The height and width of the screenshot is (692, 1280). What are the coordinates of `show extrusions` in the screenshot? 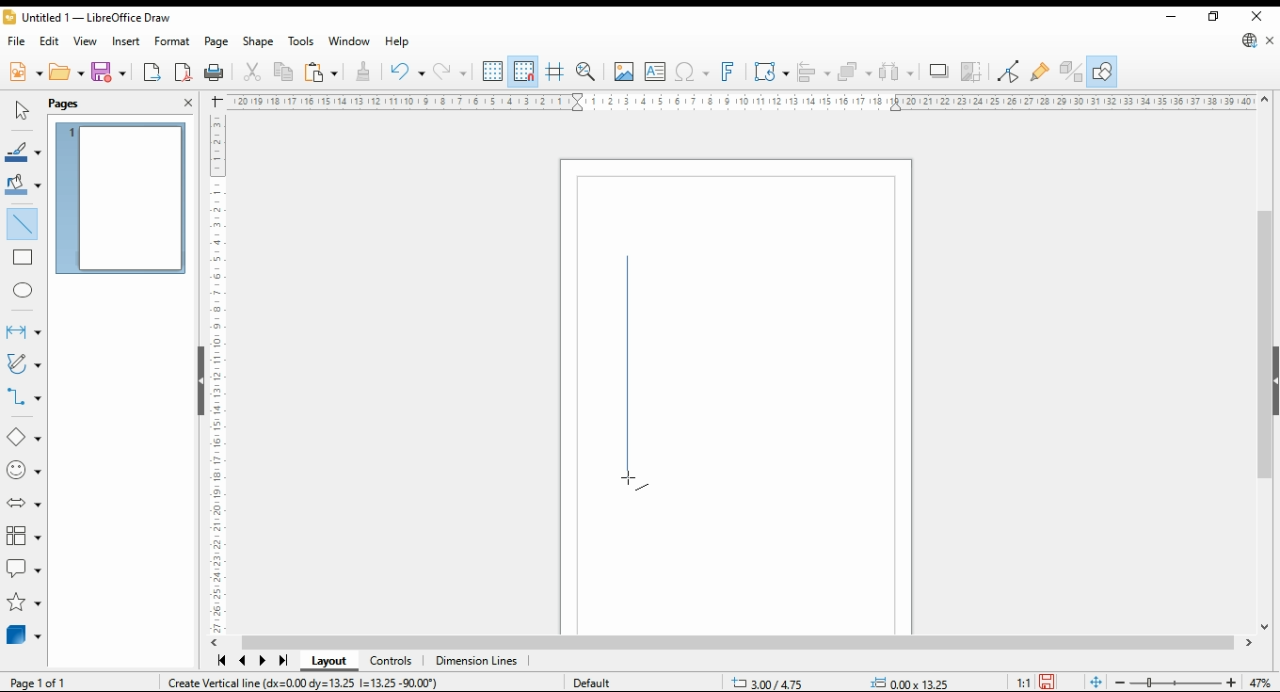 It's located at (1070, 71).